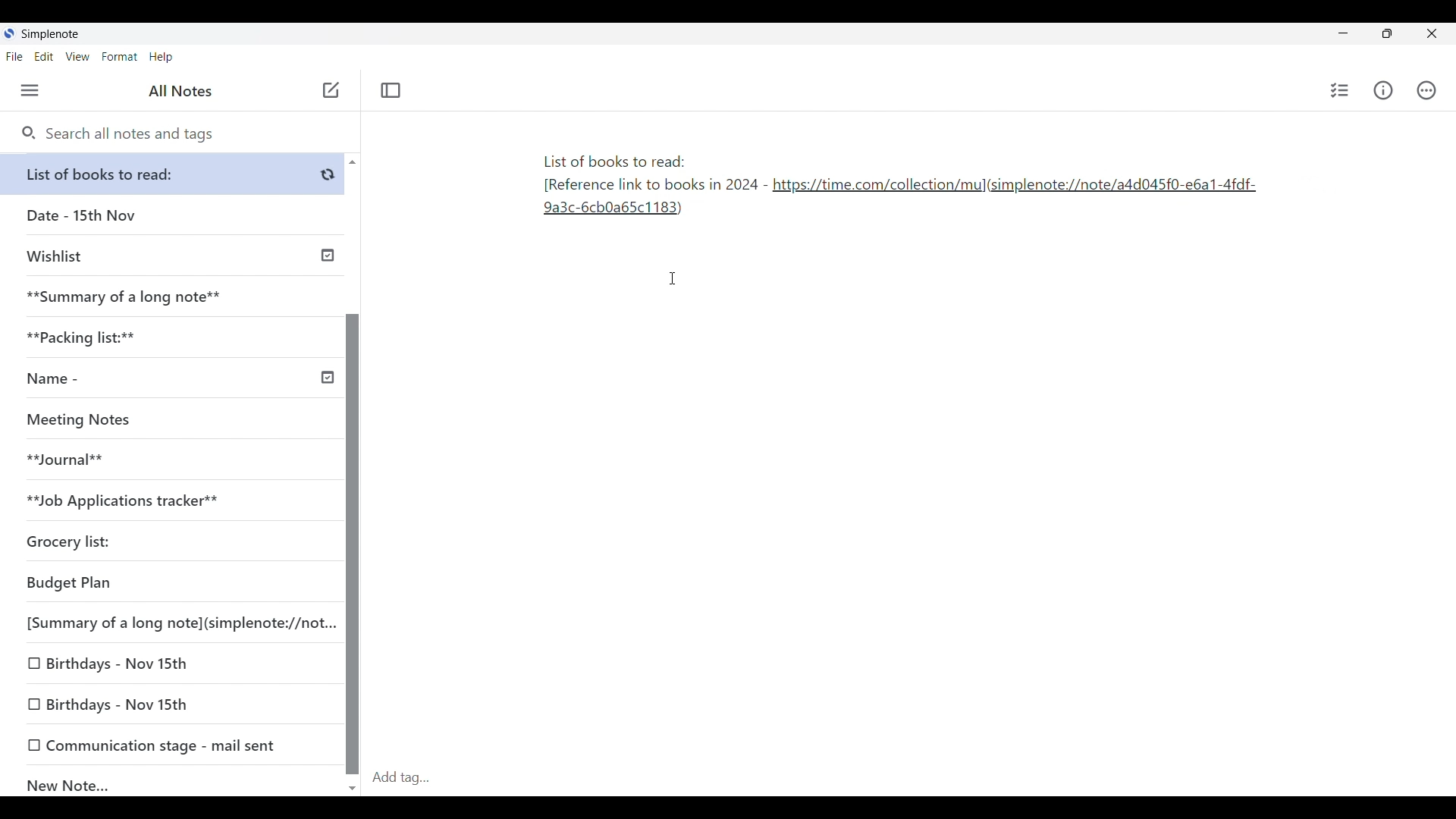 Image resolution: width=1456 pixels, height=819 pixels. Describe the element at coordinates (1382, 35) in the screenshot. I see `Resize` at that location.